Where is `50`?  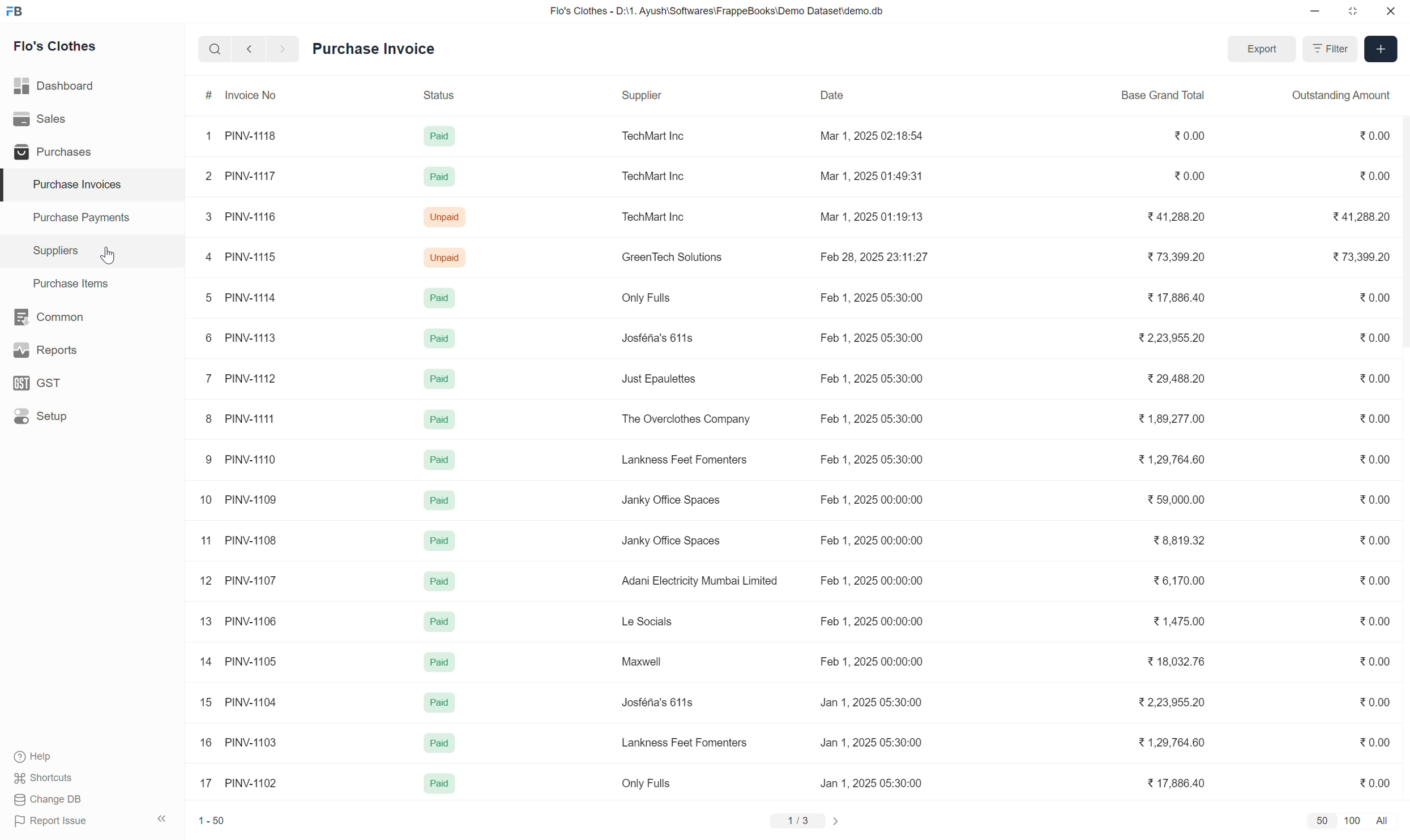 50 is located at coordinates (1323, 819).